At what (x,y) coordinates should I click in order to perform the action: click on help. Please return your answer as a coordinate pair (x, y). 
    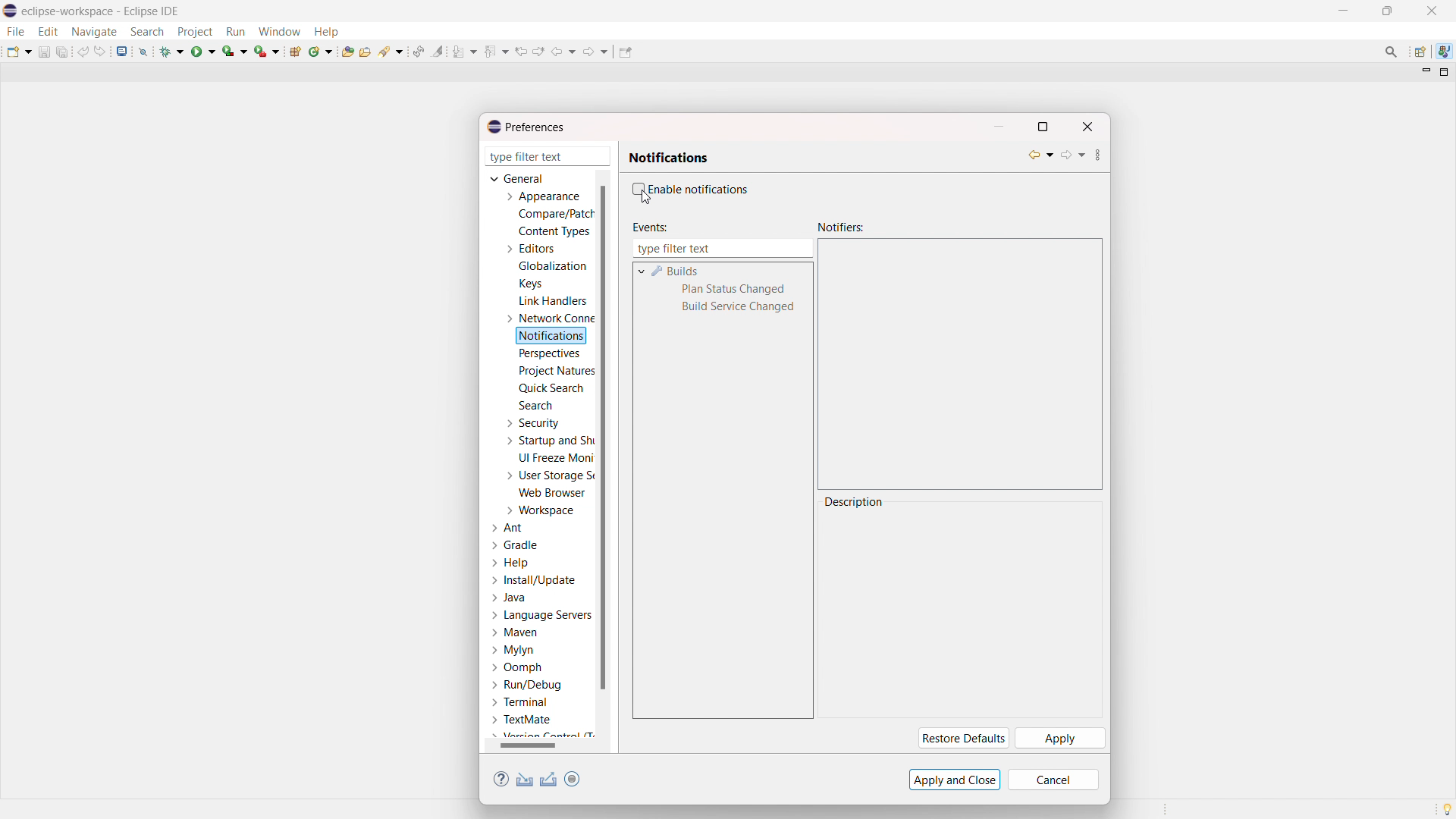
    Looking at the image, I should click on (326, 30).